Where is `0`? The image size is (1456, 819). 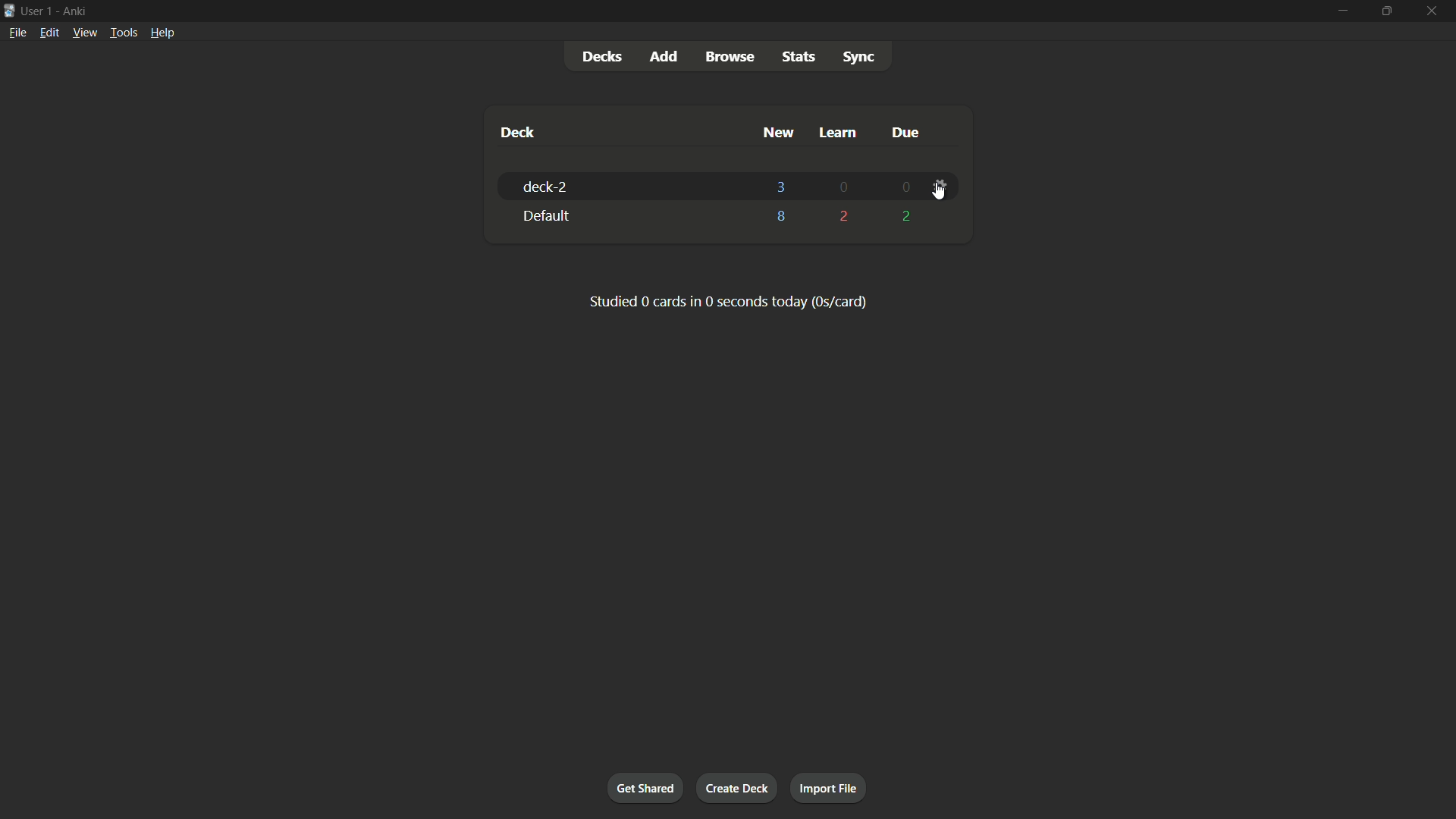
0 is located at coordinates (902, 188).